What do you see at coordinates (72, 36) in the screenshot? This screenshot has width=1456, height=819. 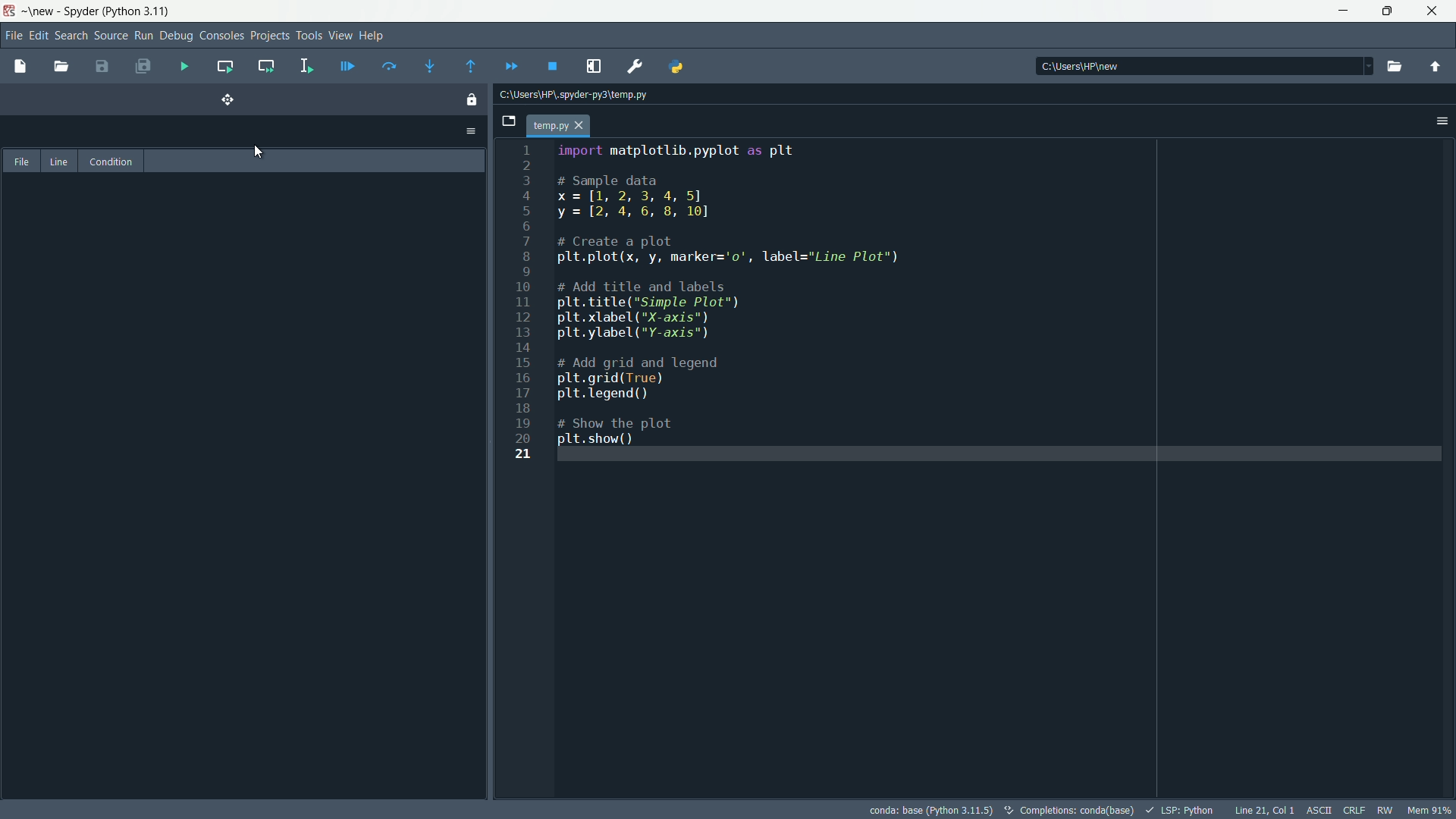 I see `search menu` at bounding box center [72, 36].